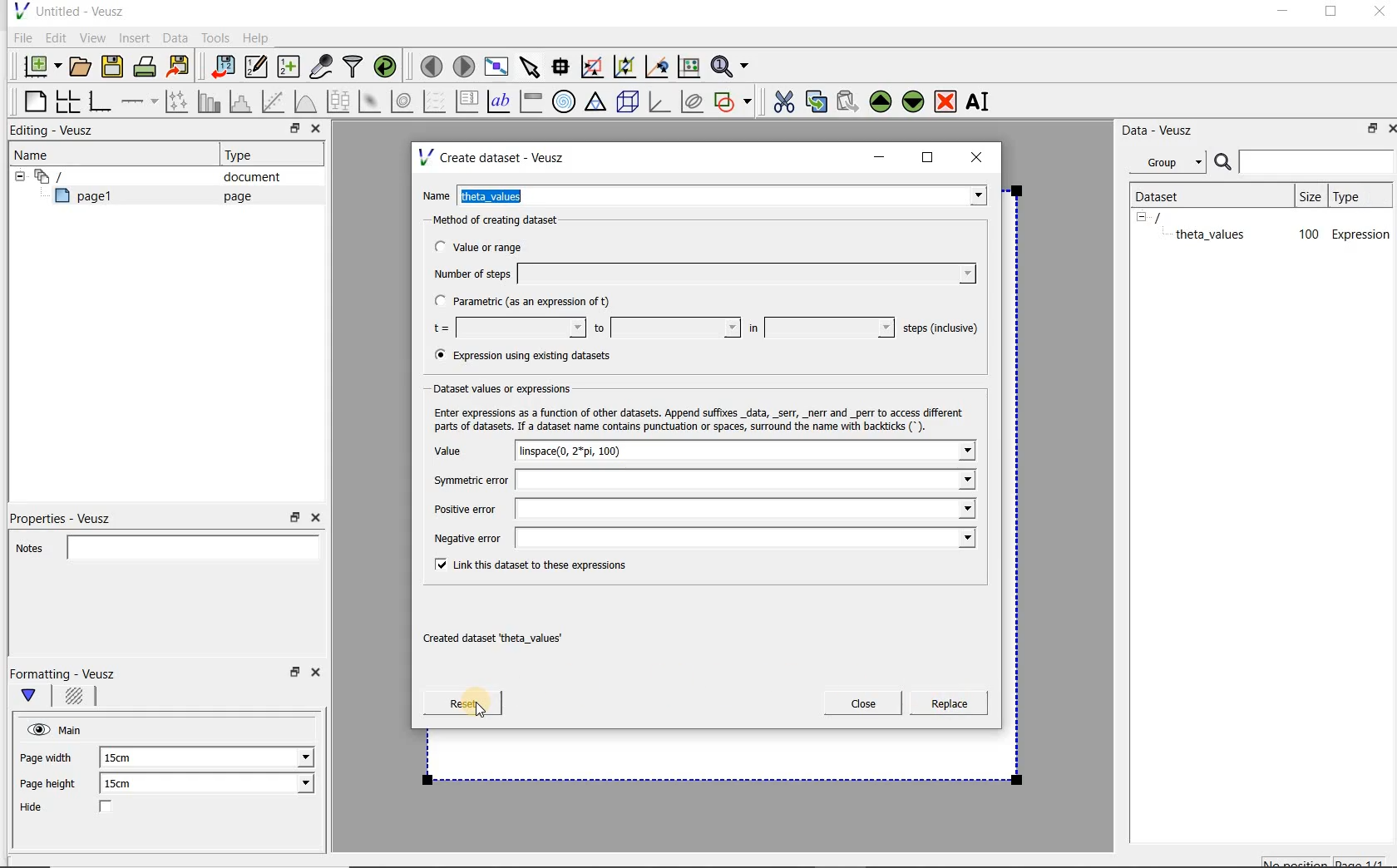  What do you see at coordinates (462, 703) in the screenshot?
I see `Reset` at bounding box center [462, 703].